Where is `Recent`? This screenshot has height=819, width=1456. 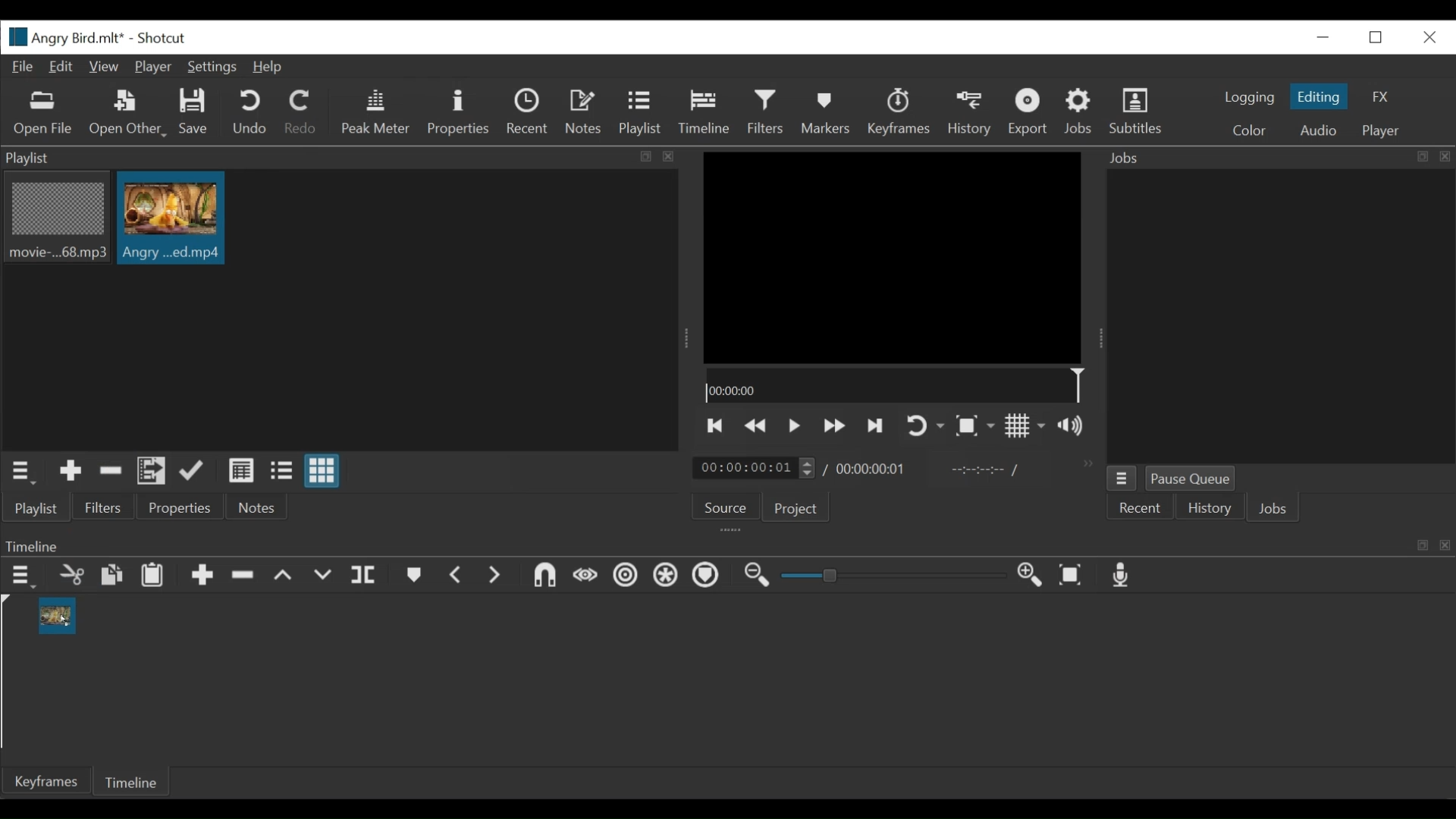
Recent is located at coordinates (529, 114).